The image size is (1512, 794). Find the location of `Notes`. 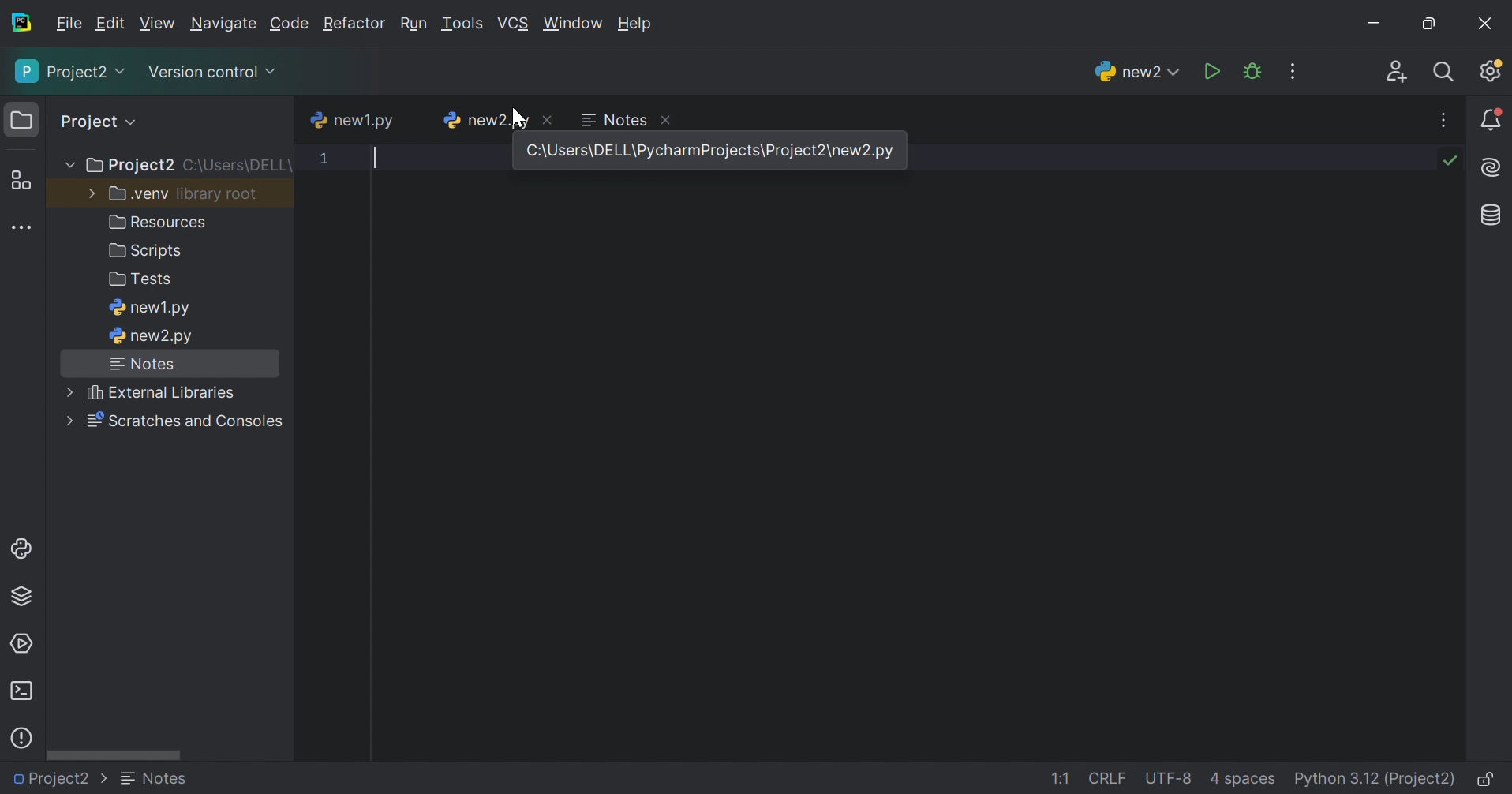

Notes is located at coordinates (140, 364).